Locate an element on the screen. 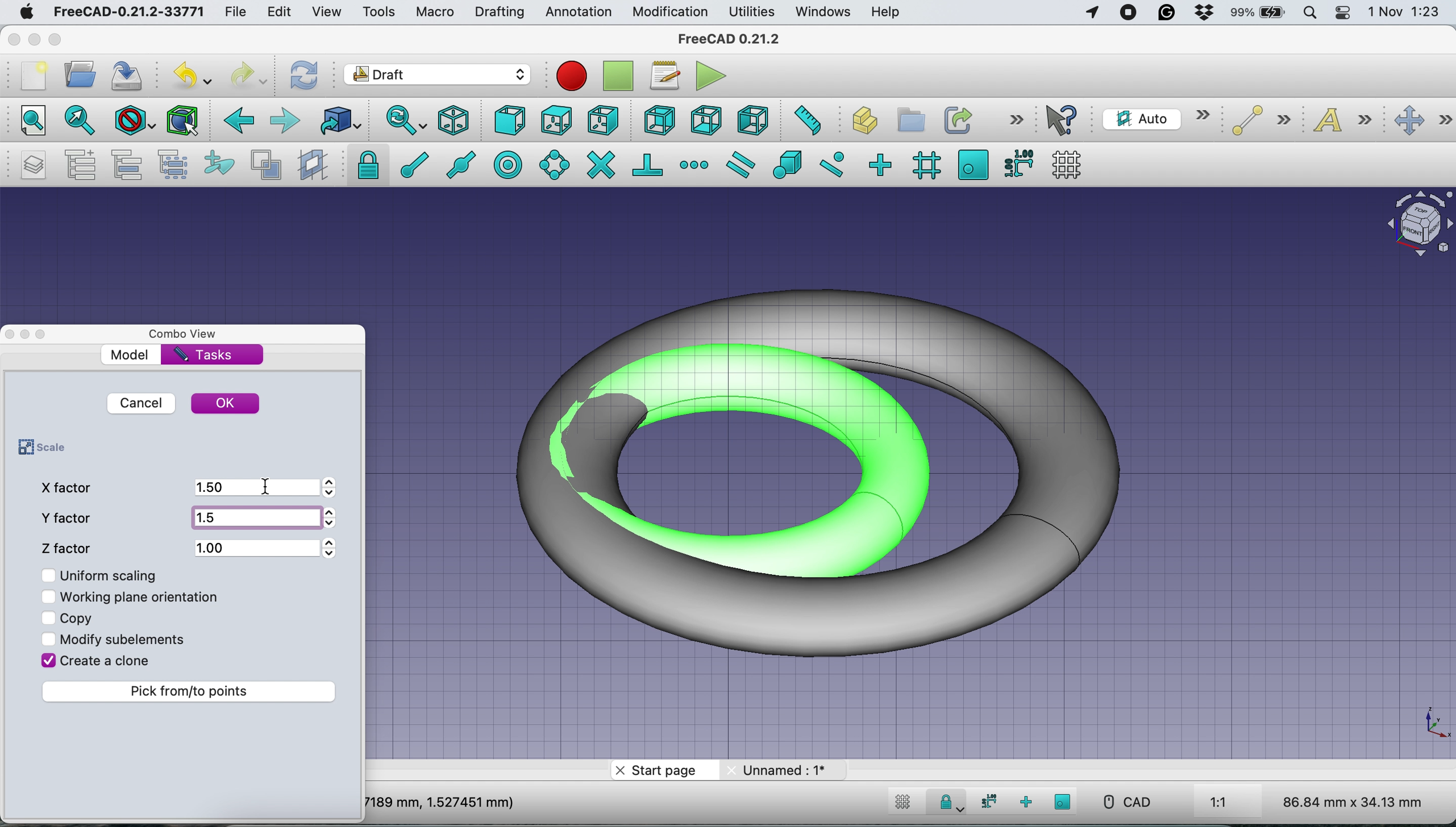  Navigation Cube is located at coordinates (1414, 224).